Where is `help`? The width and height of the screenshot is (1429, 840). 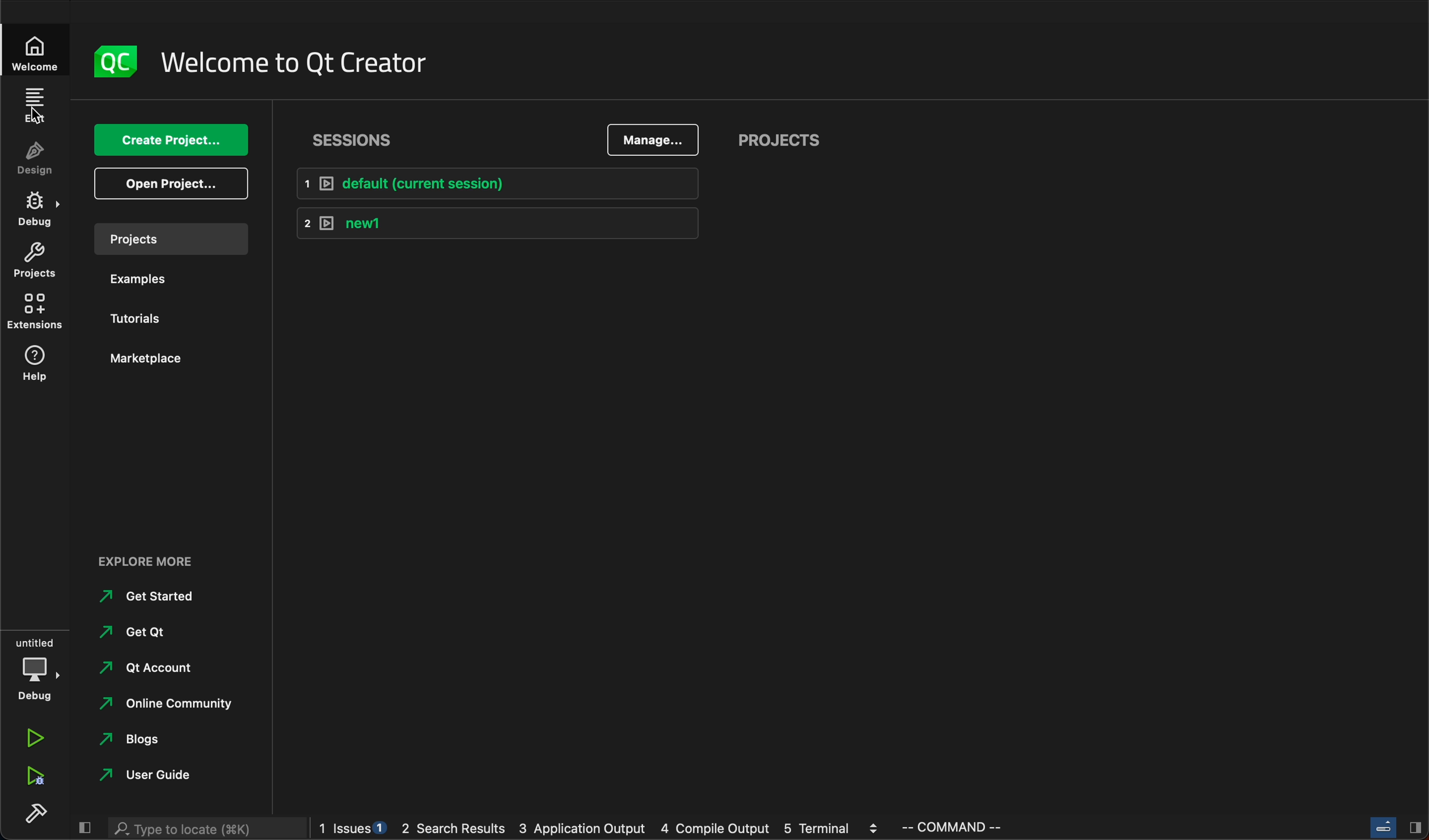 help is located at coordinates (34, 367).